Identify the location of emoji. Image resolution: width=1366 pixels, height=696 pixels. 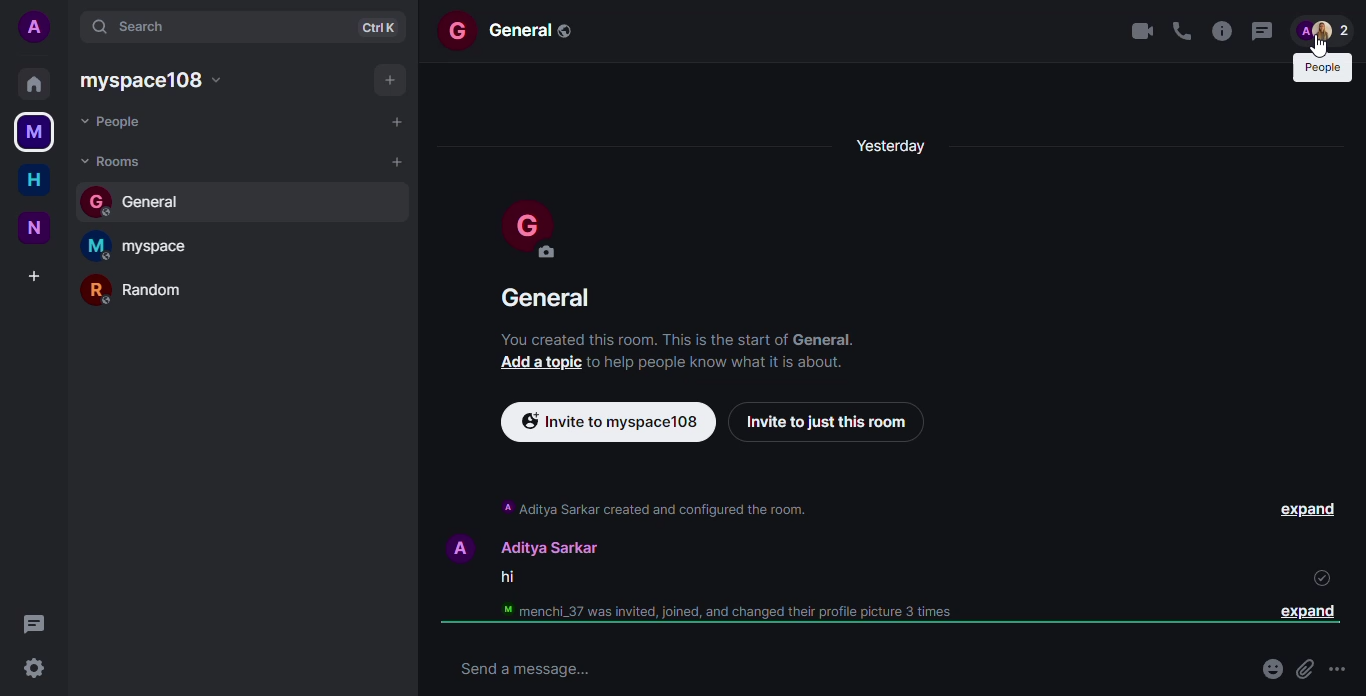
(1263, 666).